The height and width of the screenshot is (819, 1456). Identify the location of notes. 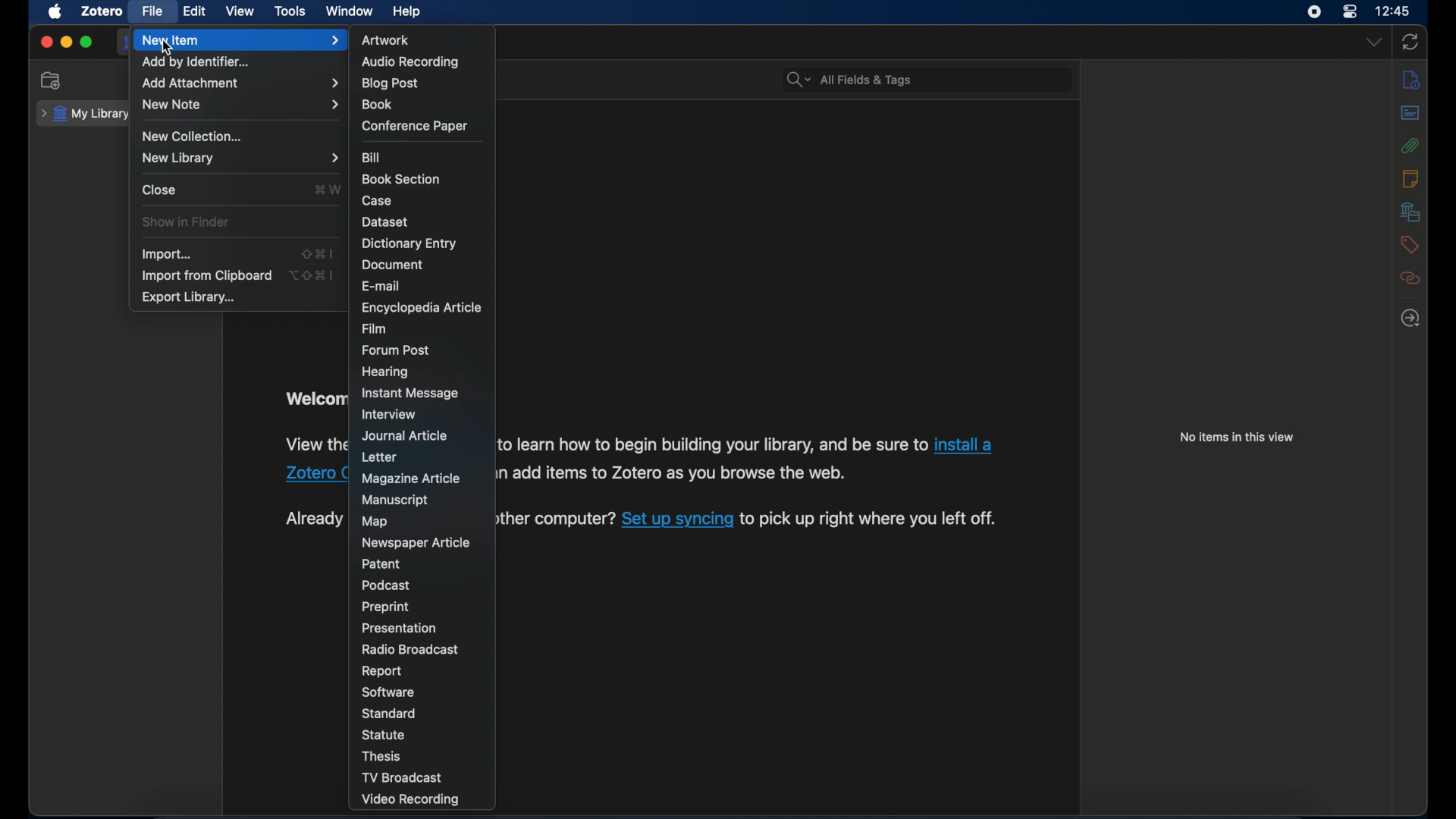
(1410, 179).